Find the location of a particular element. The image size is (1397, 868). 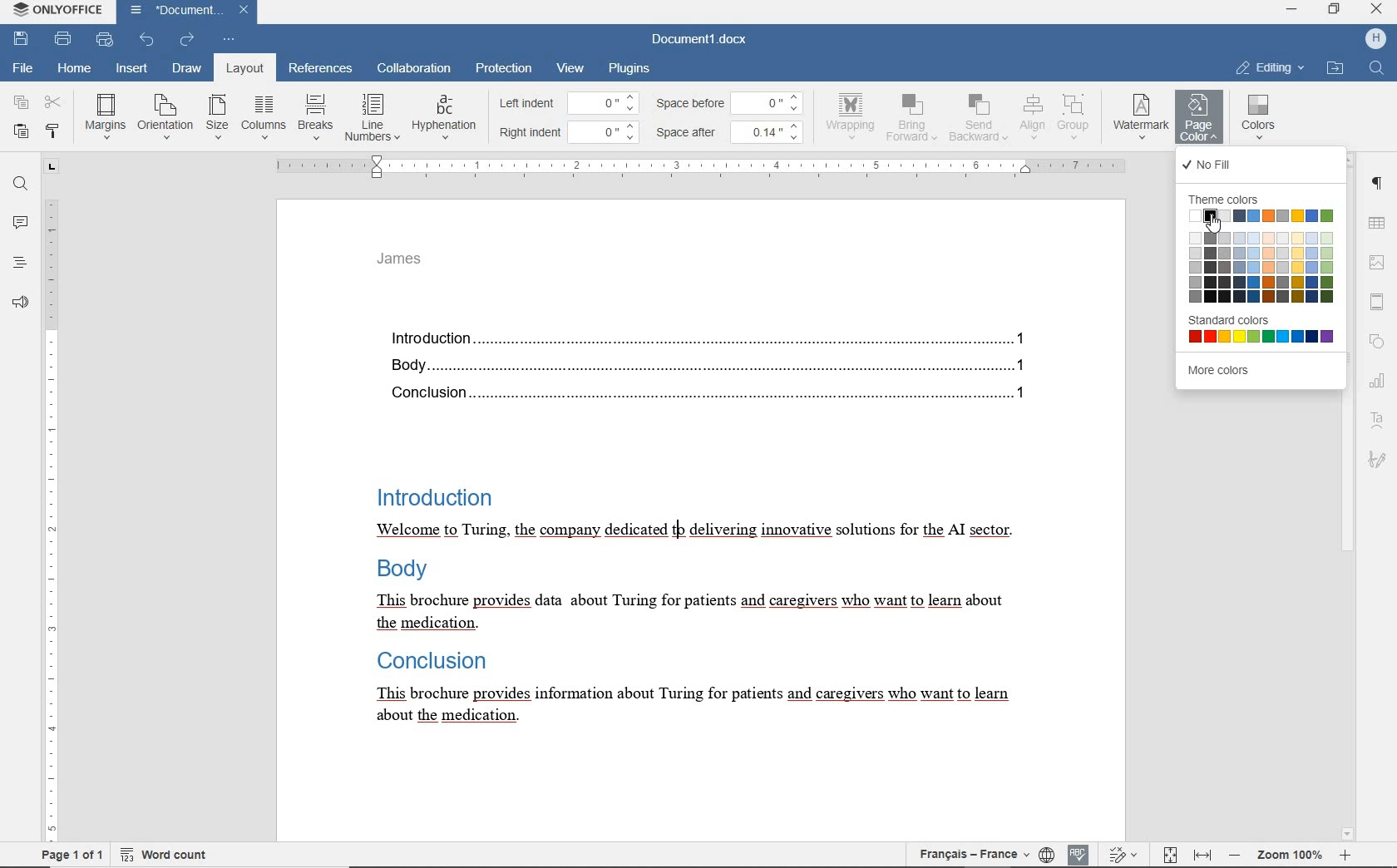

profile is located at coordinates (1368, 38).